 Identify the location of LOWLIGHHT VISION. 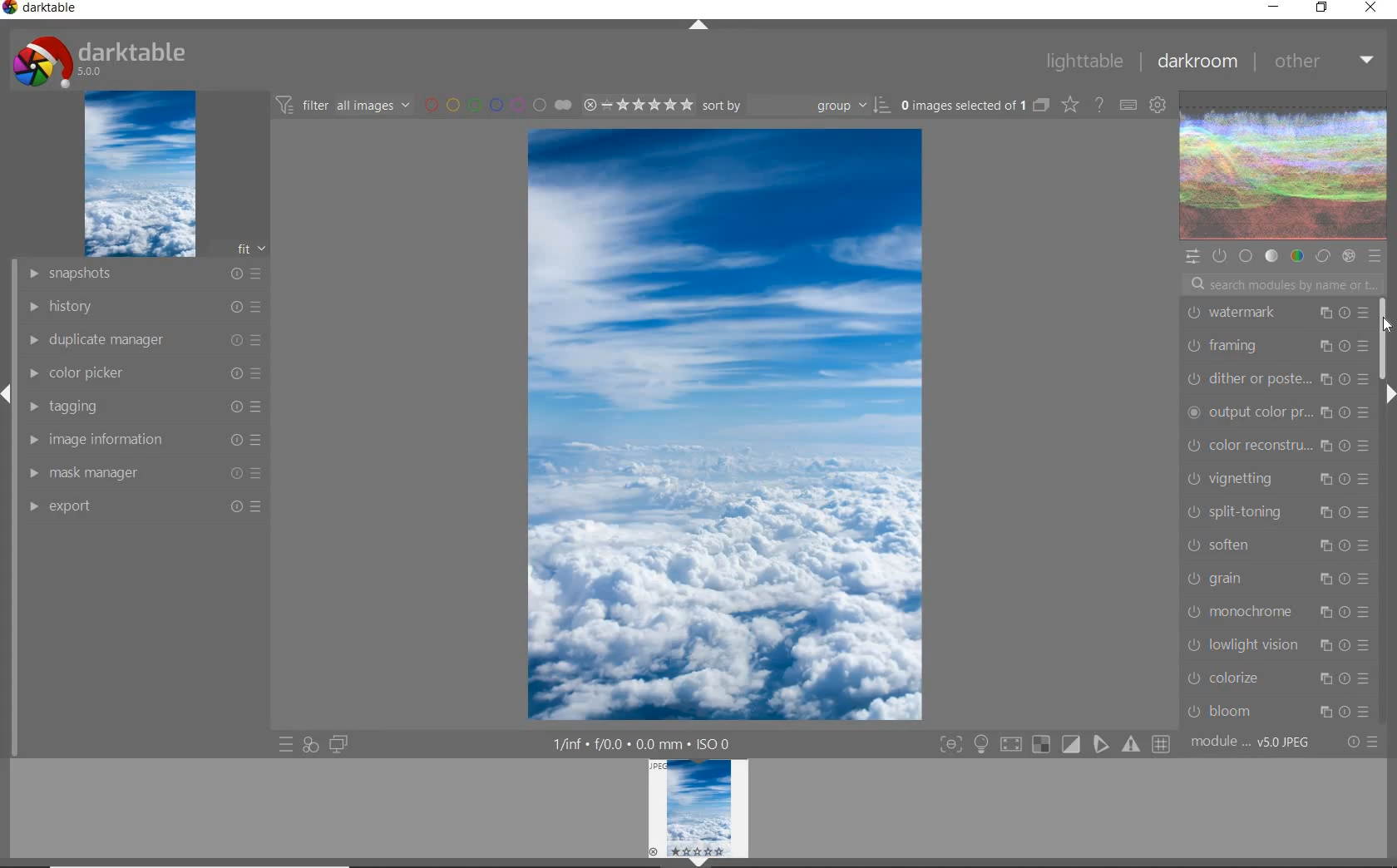
(1276, 643).